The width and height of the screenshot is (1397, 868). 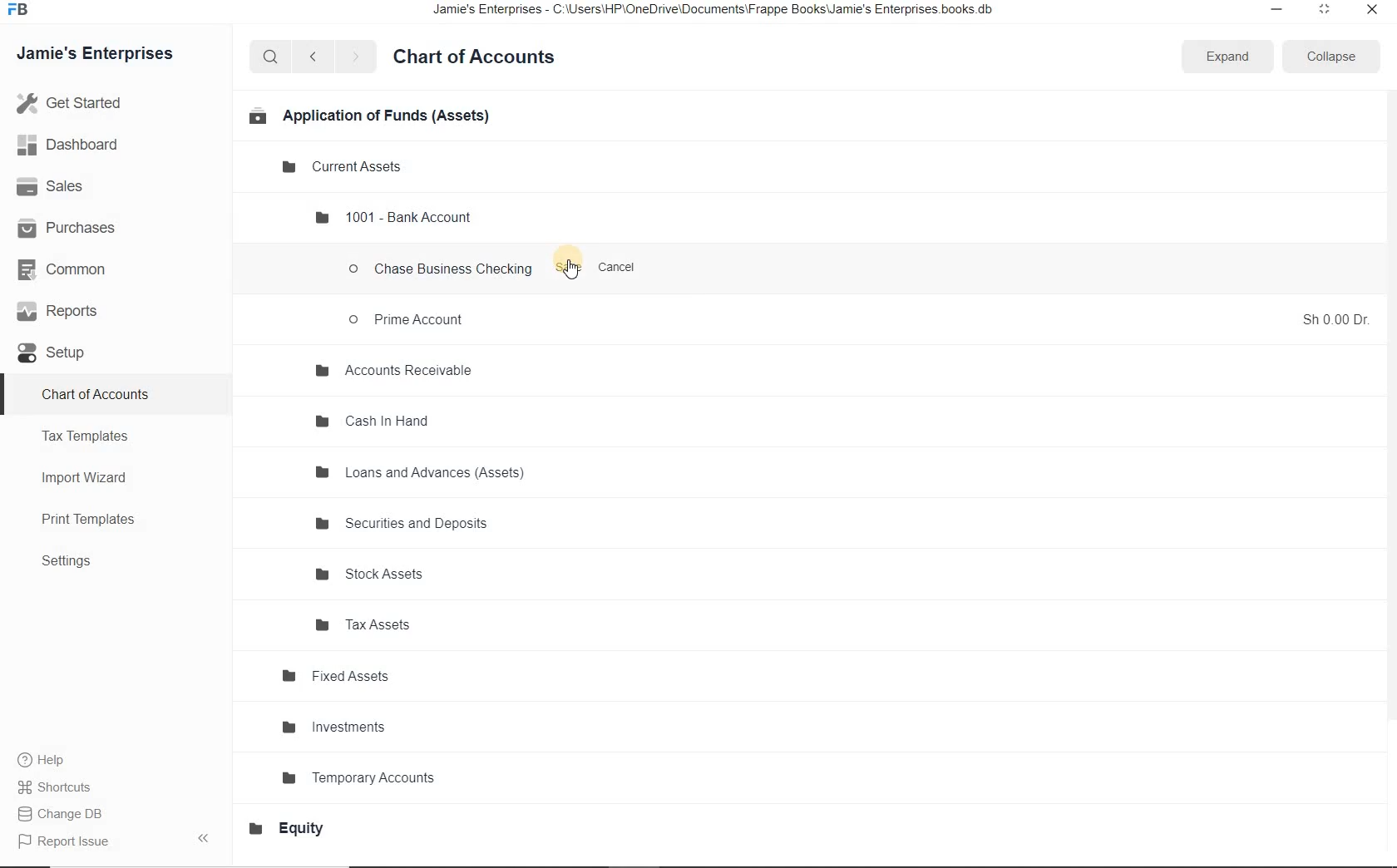 What do you see at coordinates (65, 815) in the screenshot?
I see `Change DB` at bounding box center [65, 815].